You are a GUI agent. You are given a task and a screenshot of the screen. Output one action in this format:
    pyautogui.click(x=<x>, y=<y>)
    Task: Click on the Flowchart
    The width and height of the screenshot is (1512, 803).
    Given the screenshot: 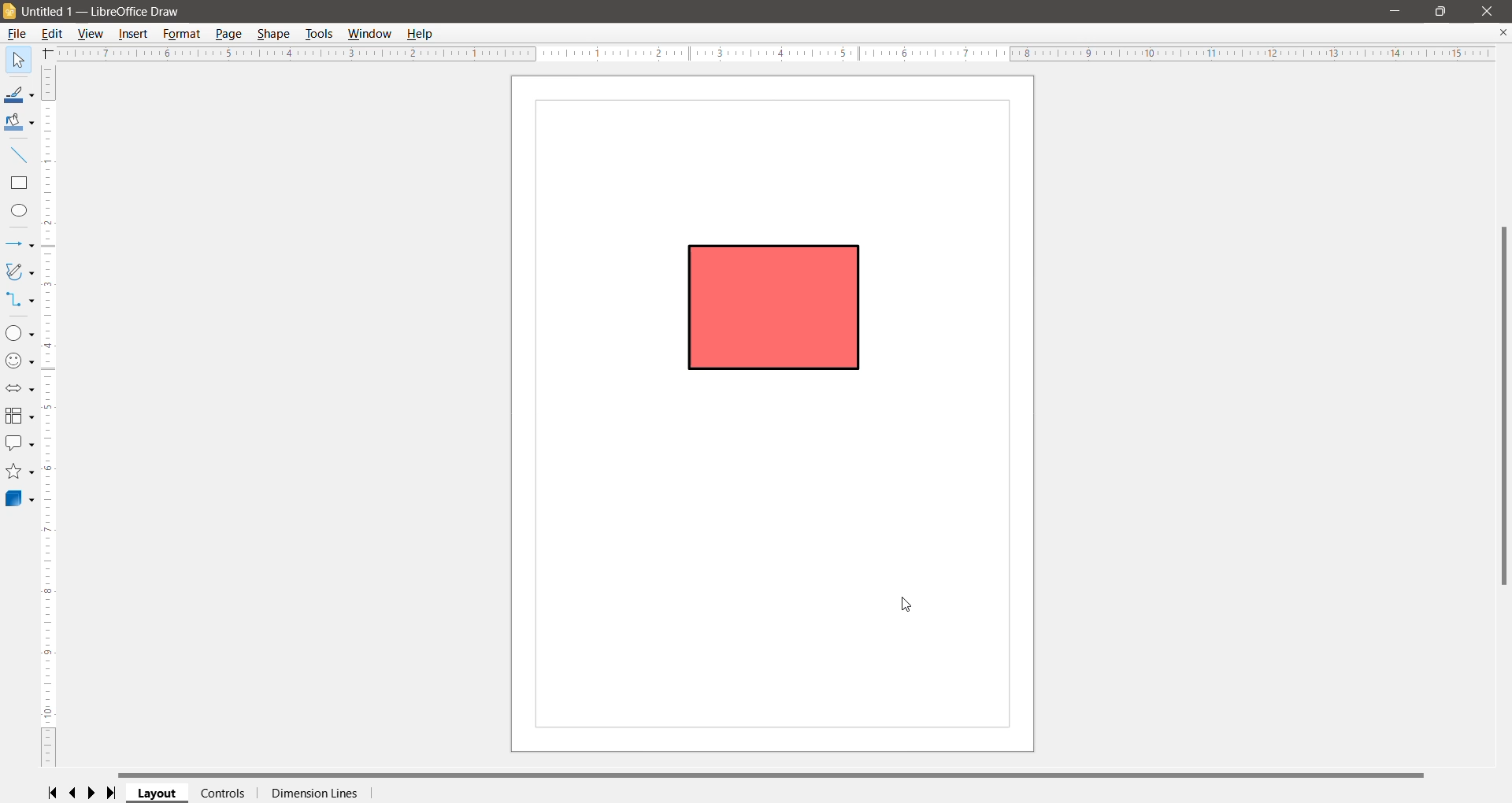 What is the action you would take?
    pyautogui.click(x=19, y=417)
    